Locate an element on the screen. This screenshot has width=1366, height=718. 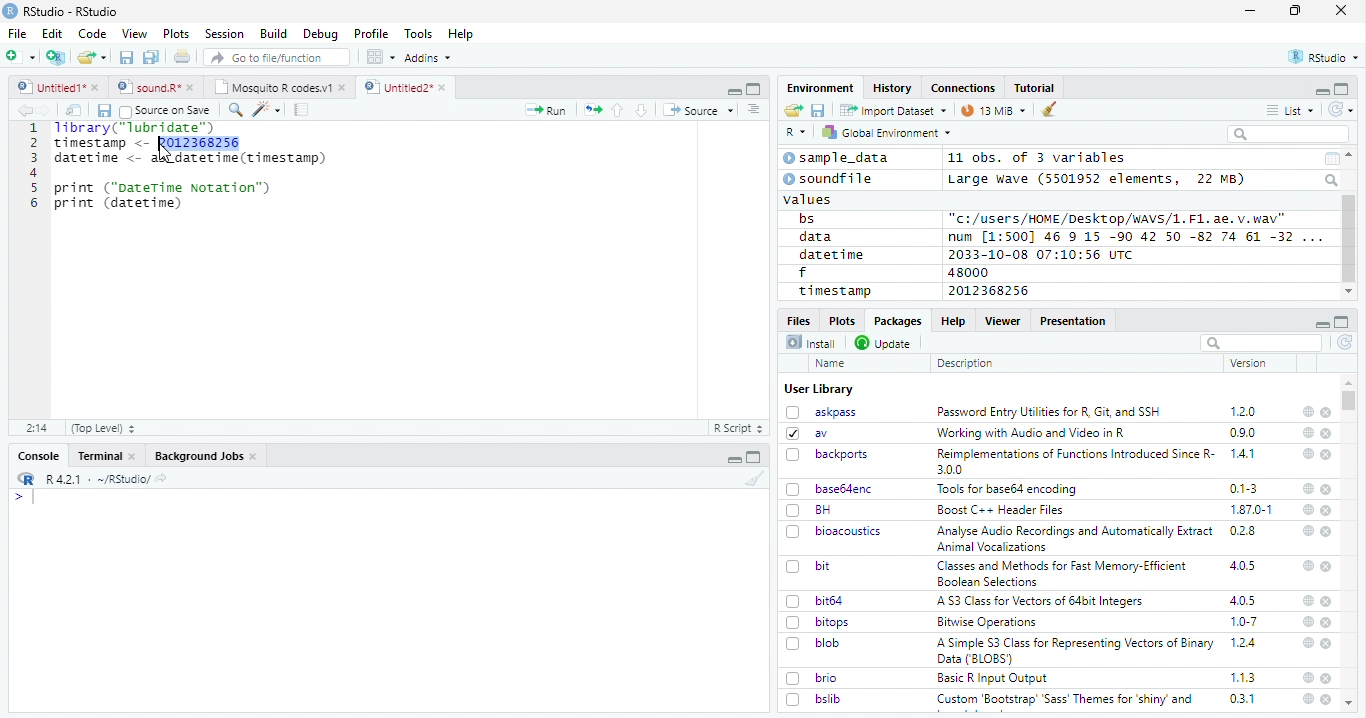
clear workspace is located at coordinates (1050, 110).